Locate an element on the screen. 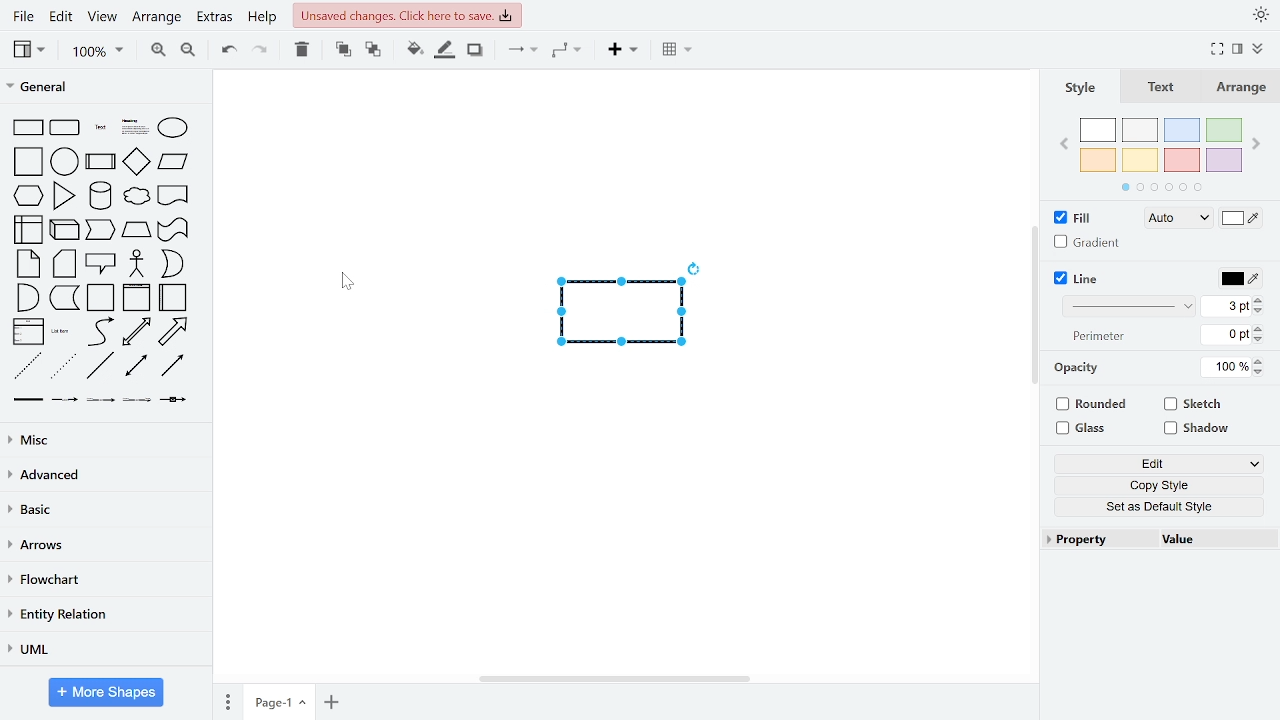  add page is located at coordinates (330, 701).